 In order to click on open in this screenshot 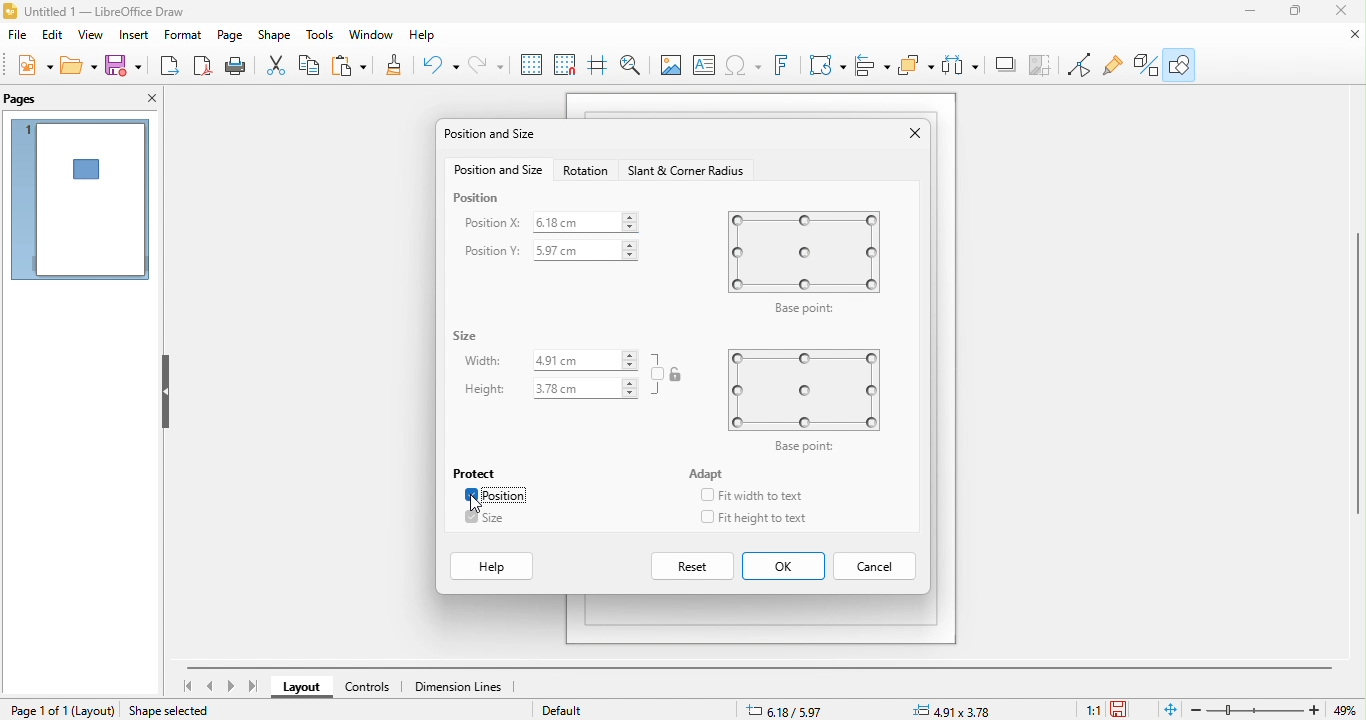, I will do `click(79, 64)`.